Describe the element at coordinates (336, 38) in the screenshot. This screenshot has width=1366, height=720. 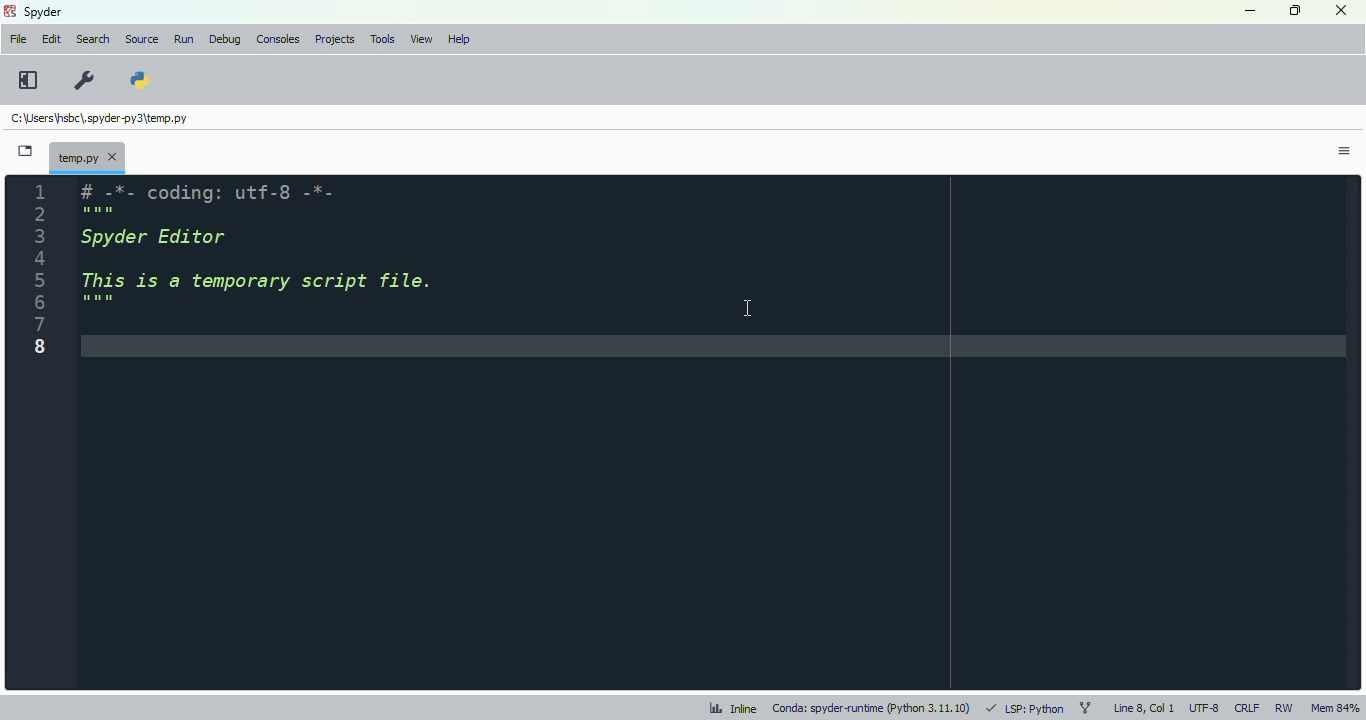
I see `projects` at that location.